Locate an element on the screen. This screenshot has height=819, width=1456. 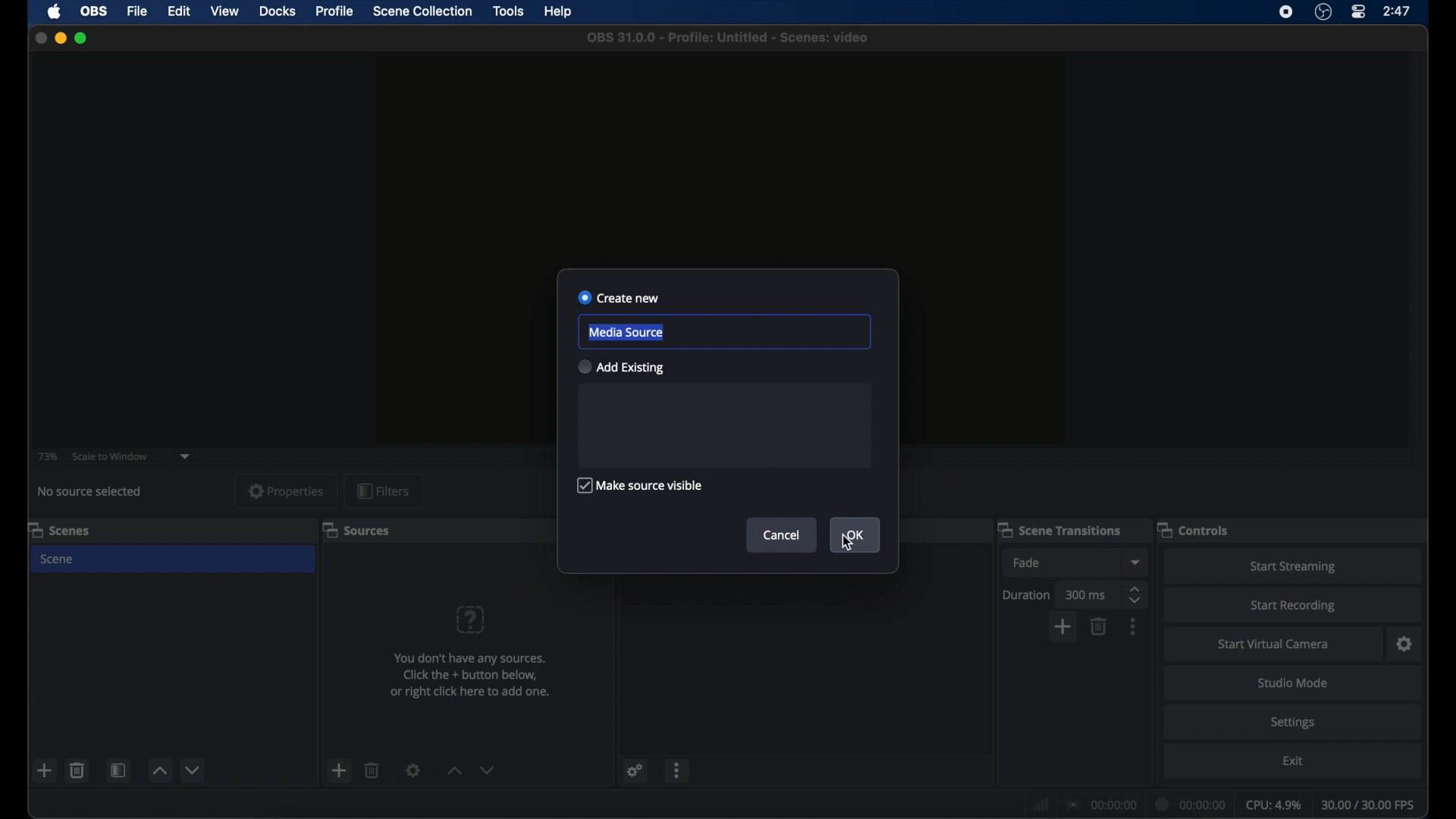
fade is located at coordinates (1027, 563).